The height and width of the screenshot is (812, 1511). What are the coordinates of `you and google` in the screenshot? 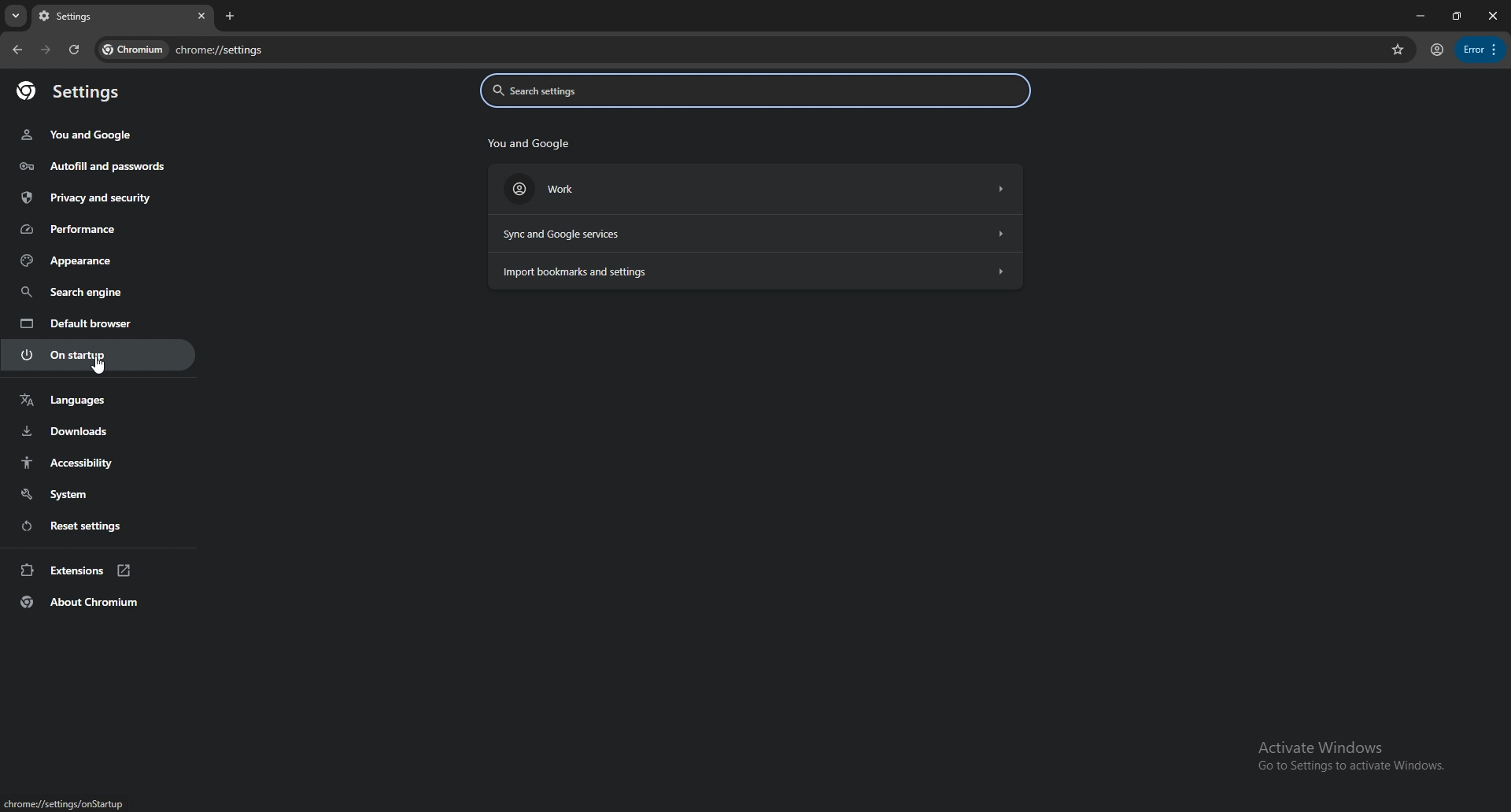 It's located at (533, 142).